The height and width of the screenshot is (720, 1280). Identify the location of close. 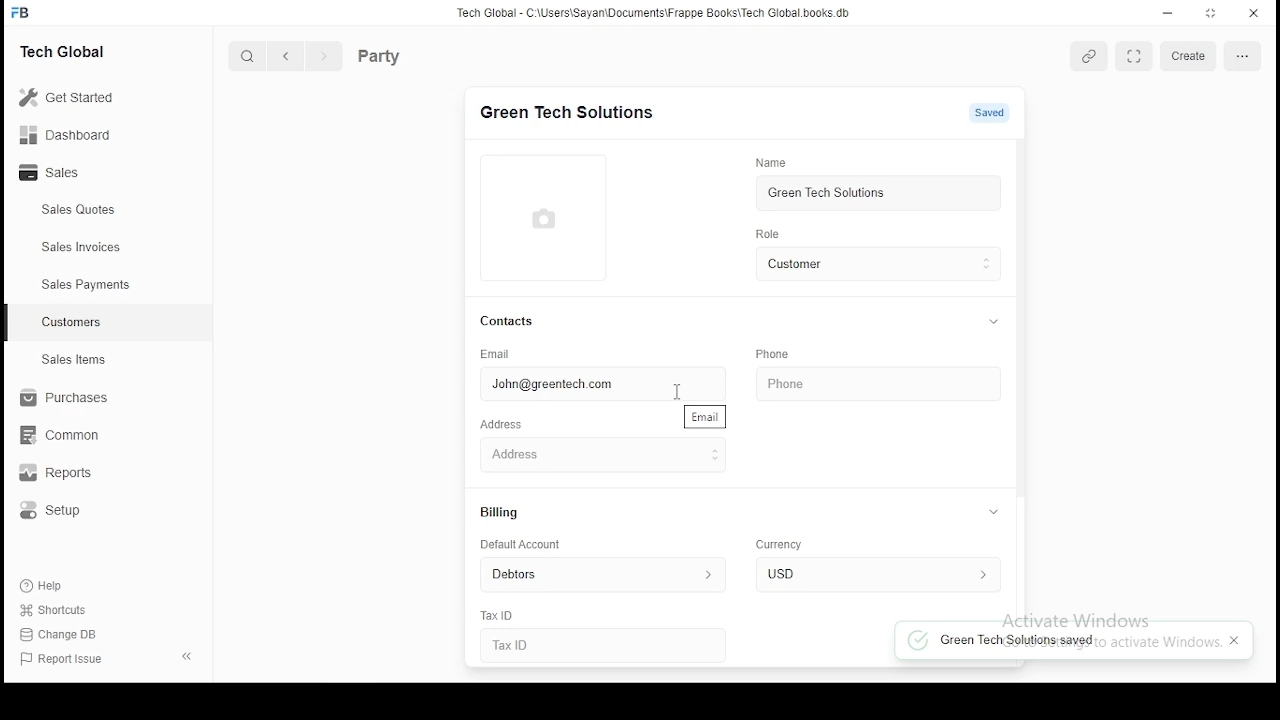
(1234, 642).